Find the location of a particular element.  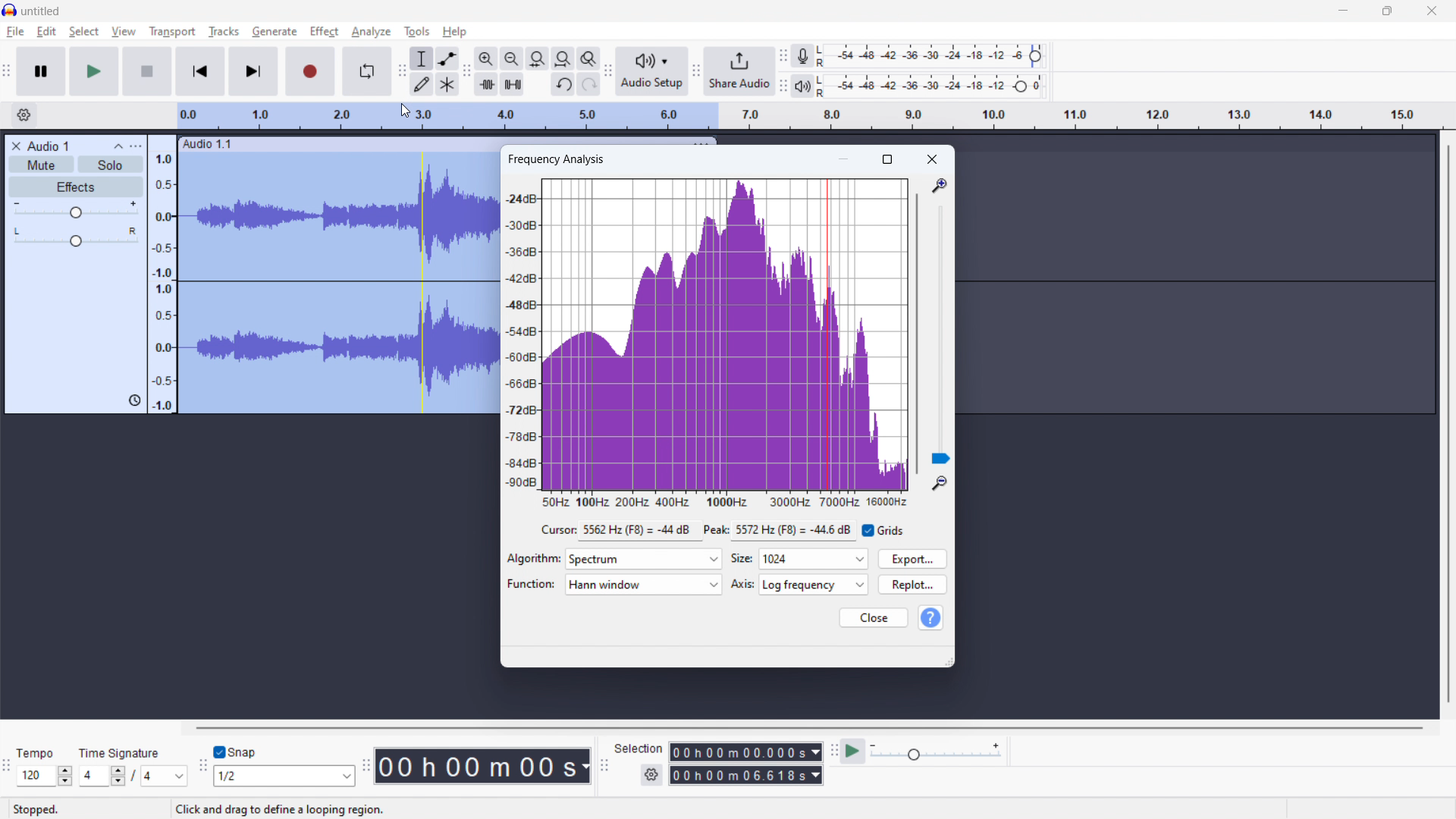

tracks is located at coordinates (224, 30).